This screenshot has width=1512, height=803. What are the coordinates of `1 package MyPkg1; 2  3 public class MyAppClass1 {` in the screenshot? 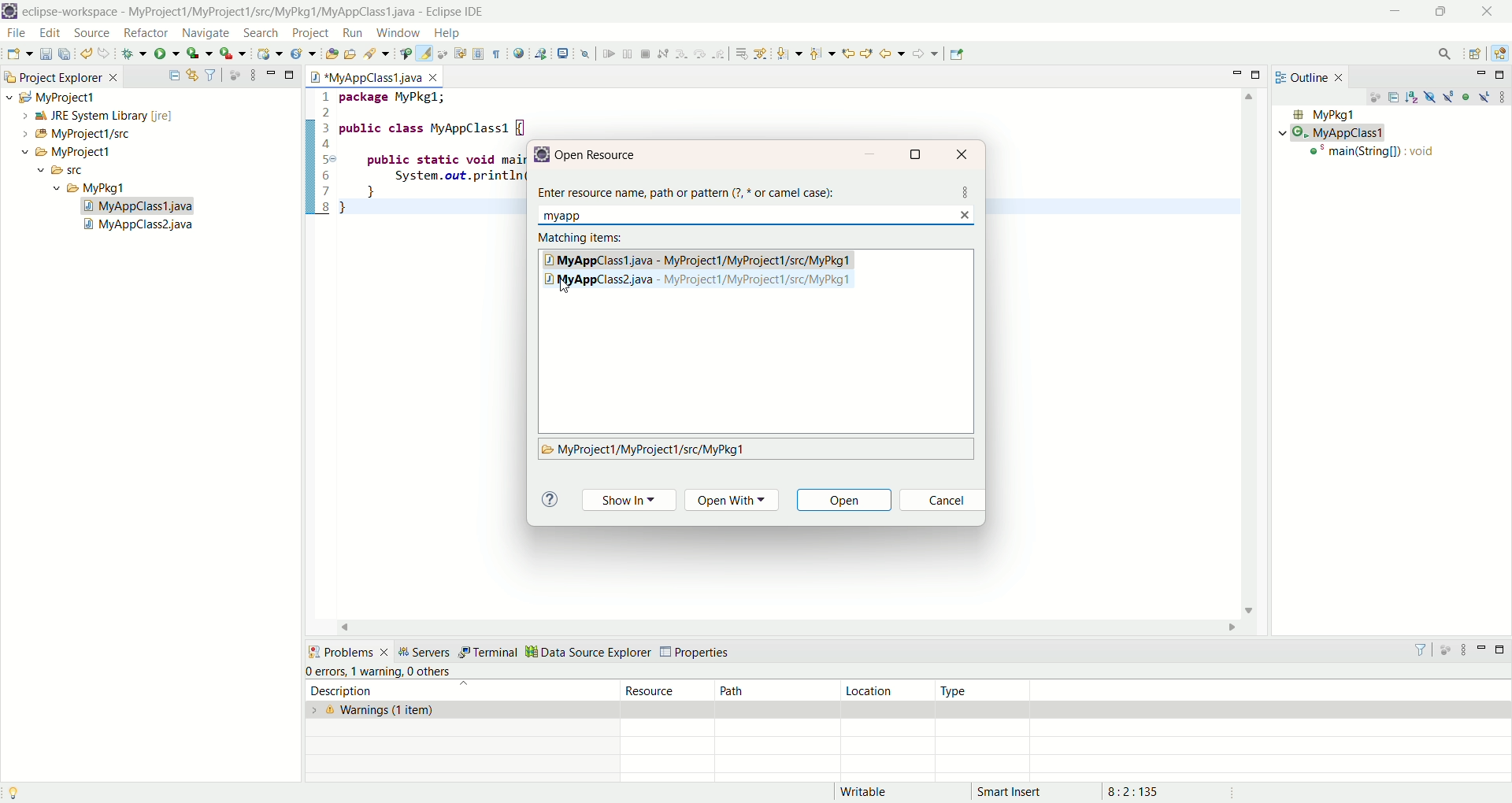 It's located at (416, 112).